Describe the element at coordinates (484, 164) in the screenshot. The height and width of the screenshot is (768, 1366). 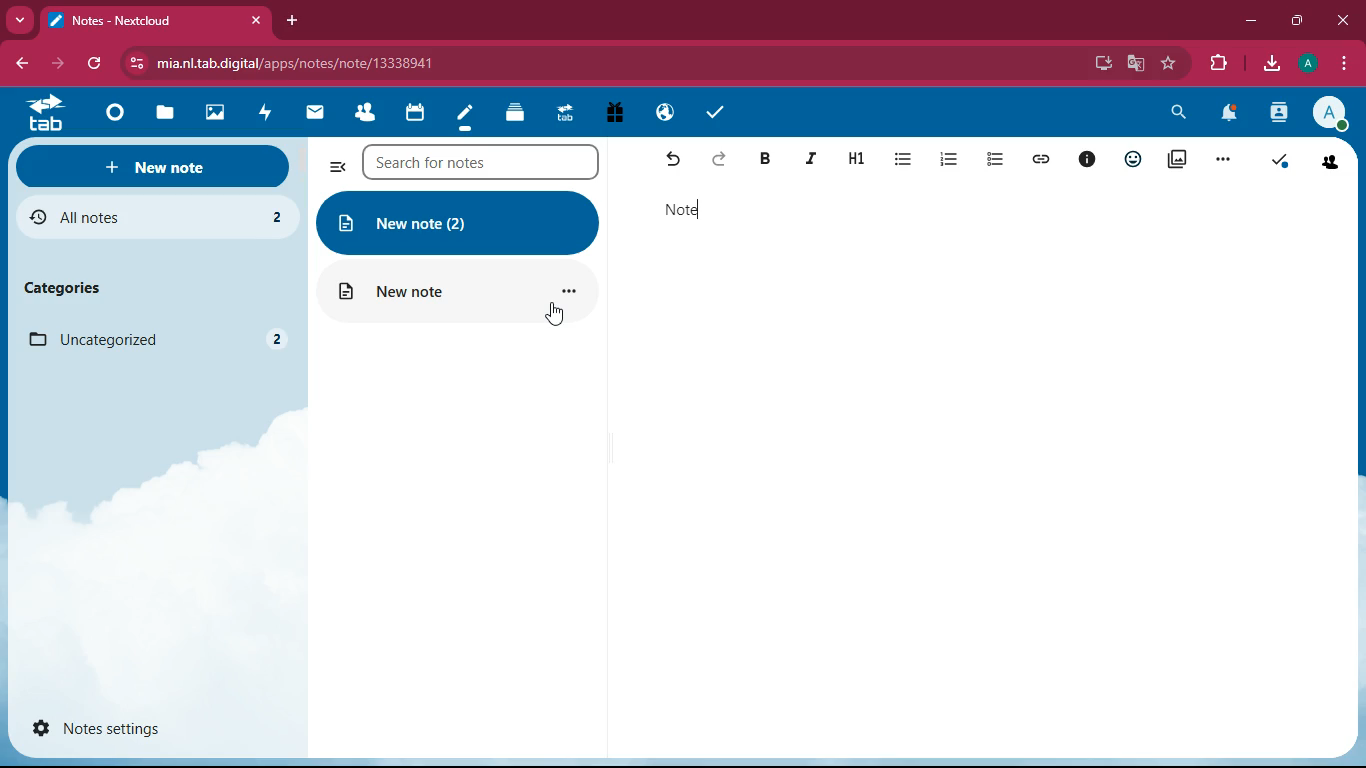
I see `search for notes` at that location.